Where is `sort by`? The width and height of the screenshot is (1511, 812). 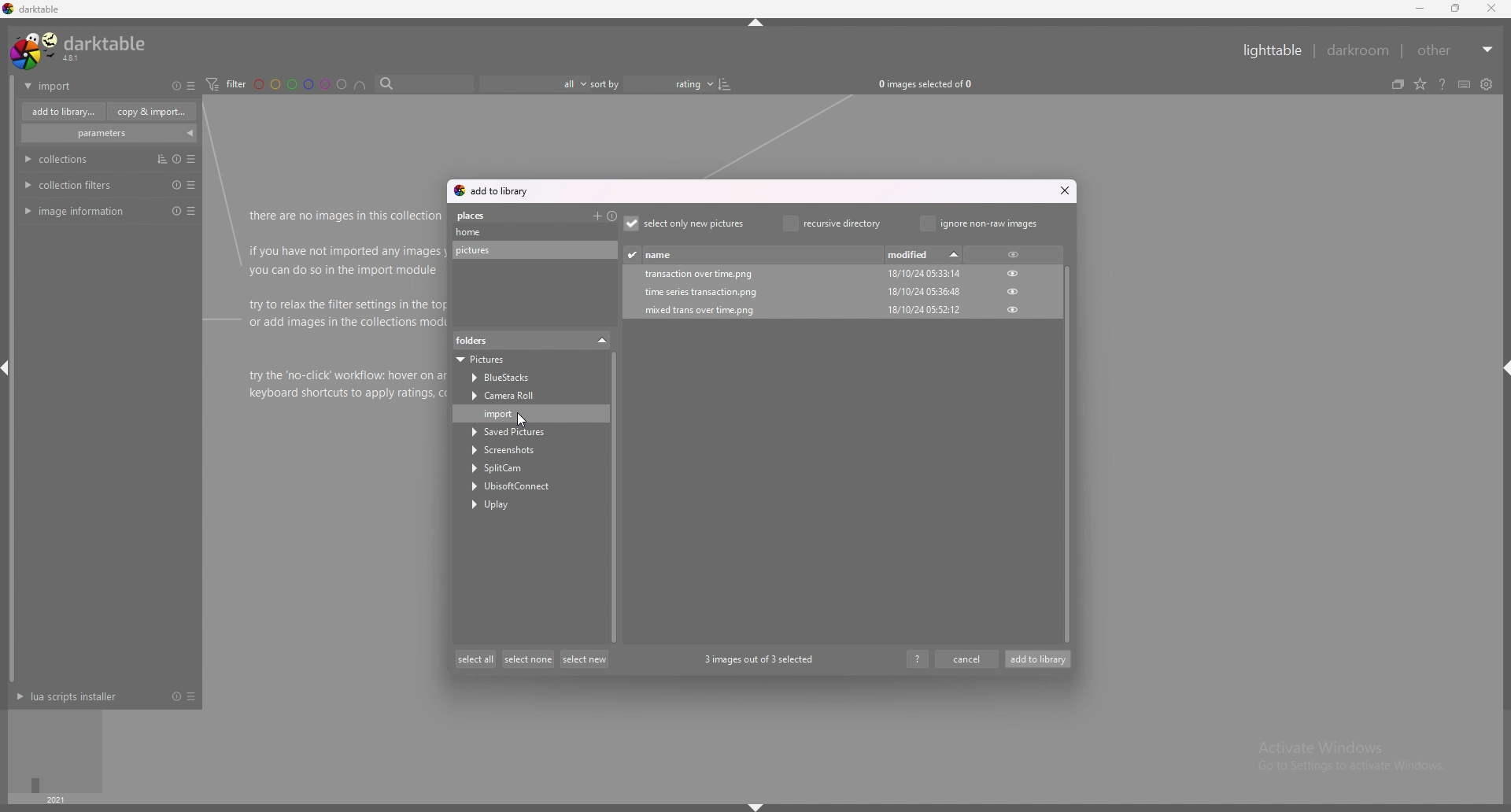 sort by is located at coordinates (652, 83).